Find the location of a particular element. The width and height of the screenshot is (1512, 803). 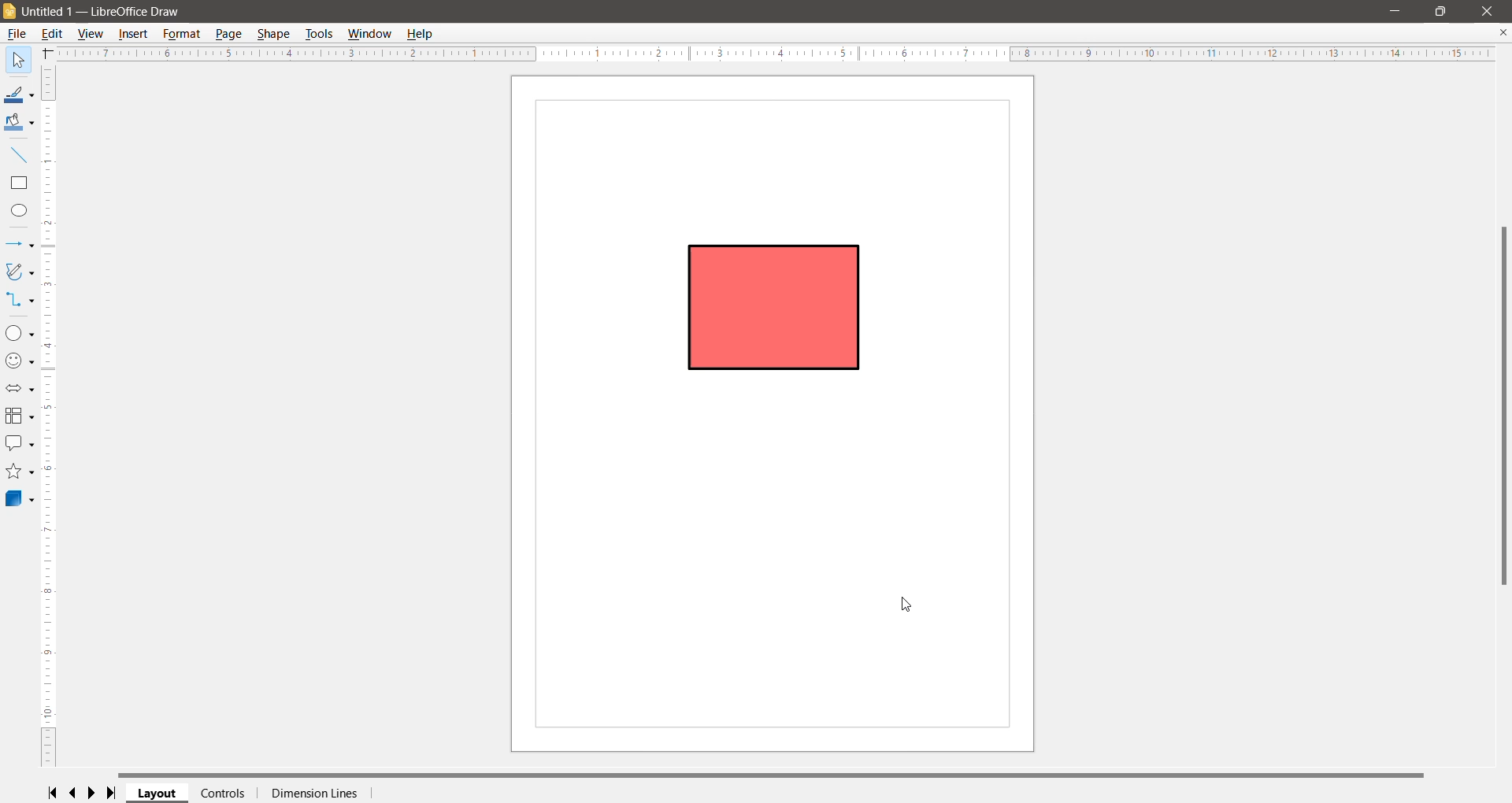

Vertical Scroll Bar is located at coordinates (1503, 406).